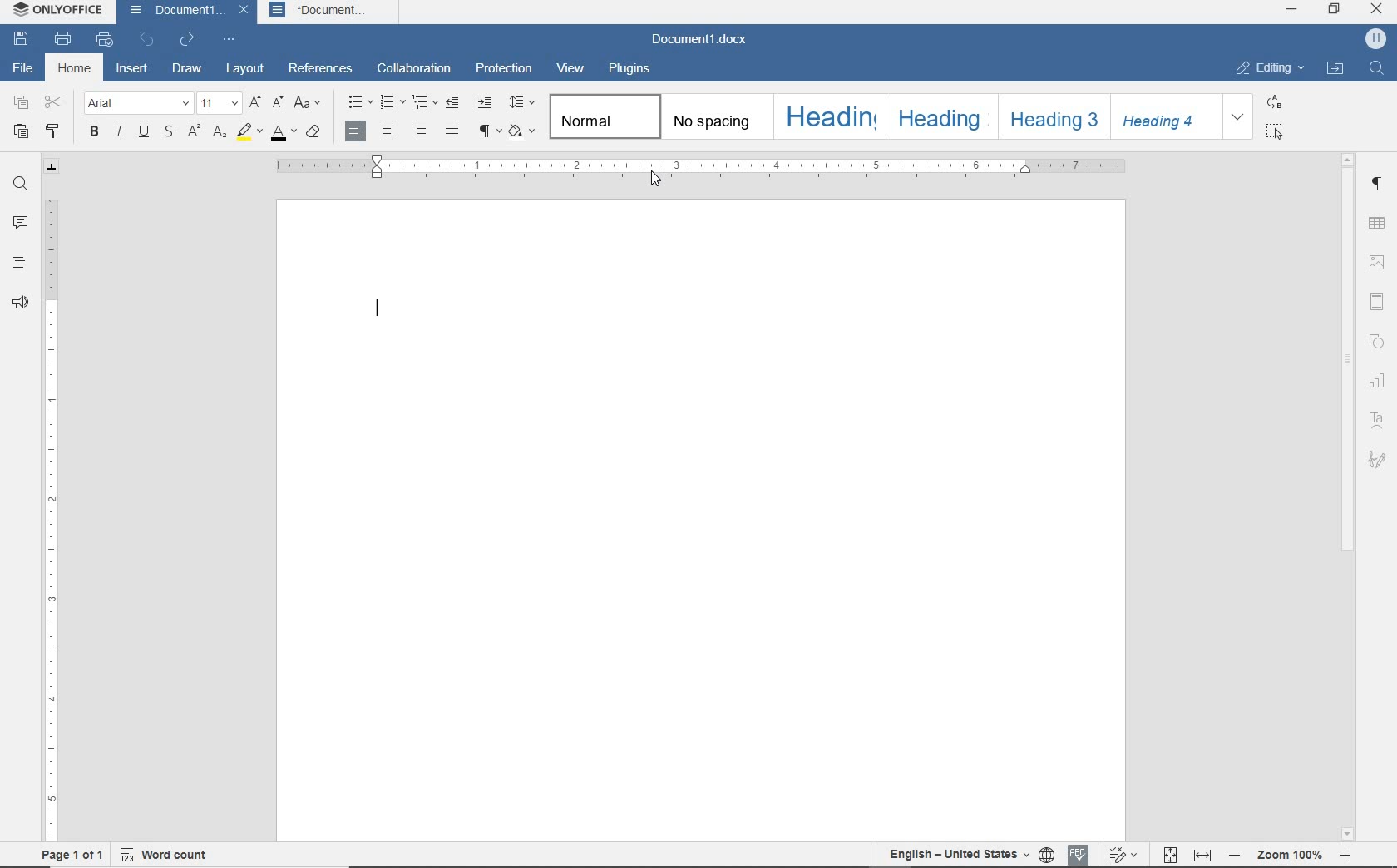 This screenshot has width=1397, height=868. Describe the element at coordinates (220, 132) in the screenshot. I see `SUBSCRIPT` at that location.